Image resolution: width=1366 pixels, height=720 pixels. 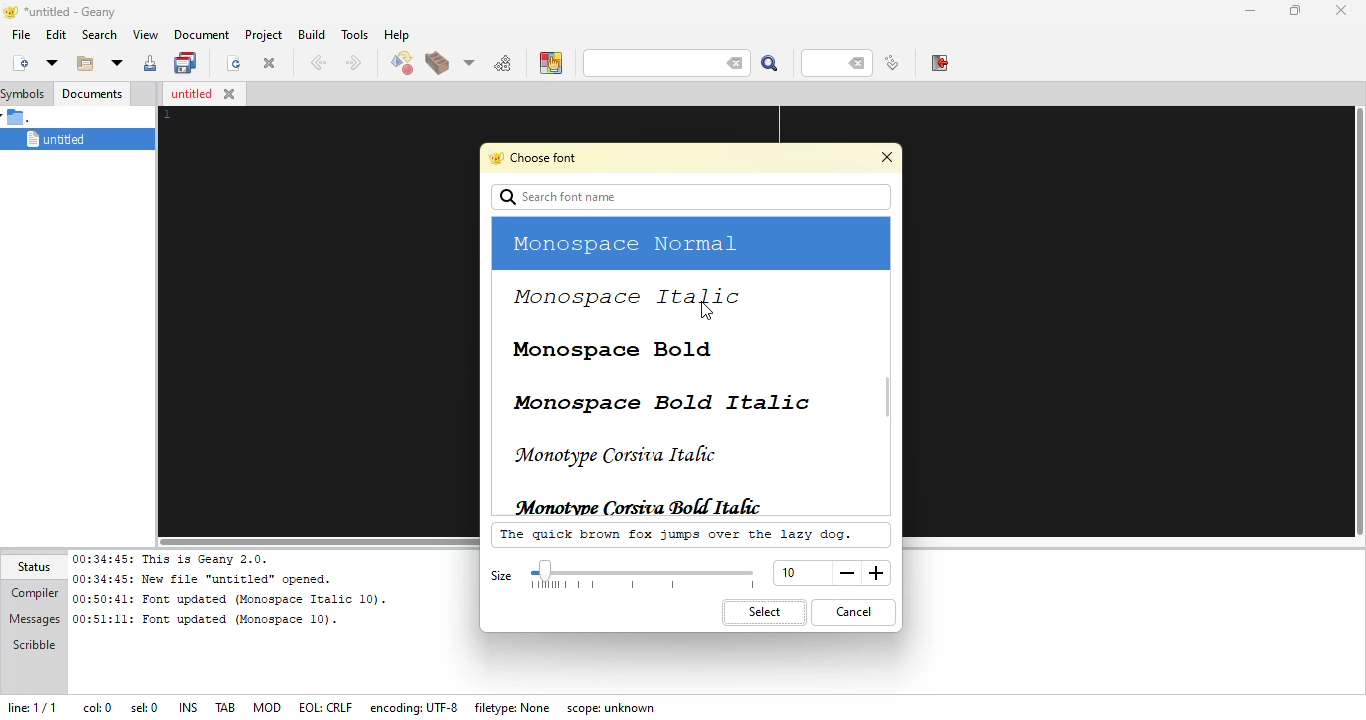 I want to click on search font name, so click(x=568, y=199).